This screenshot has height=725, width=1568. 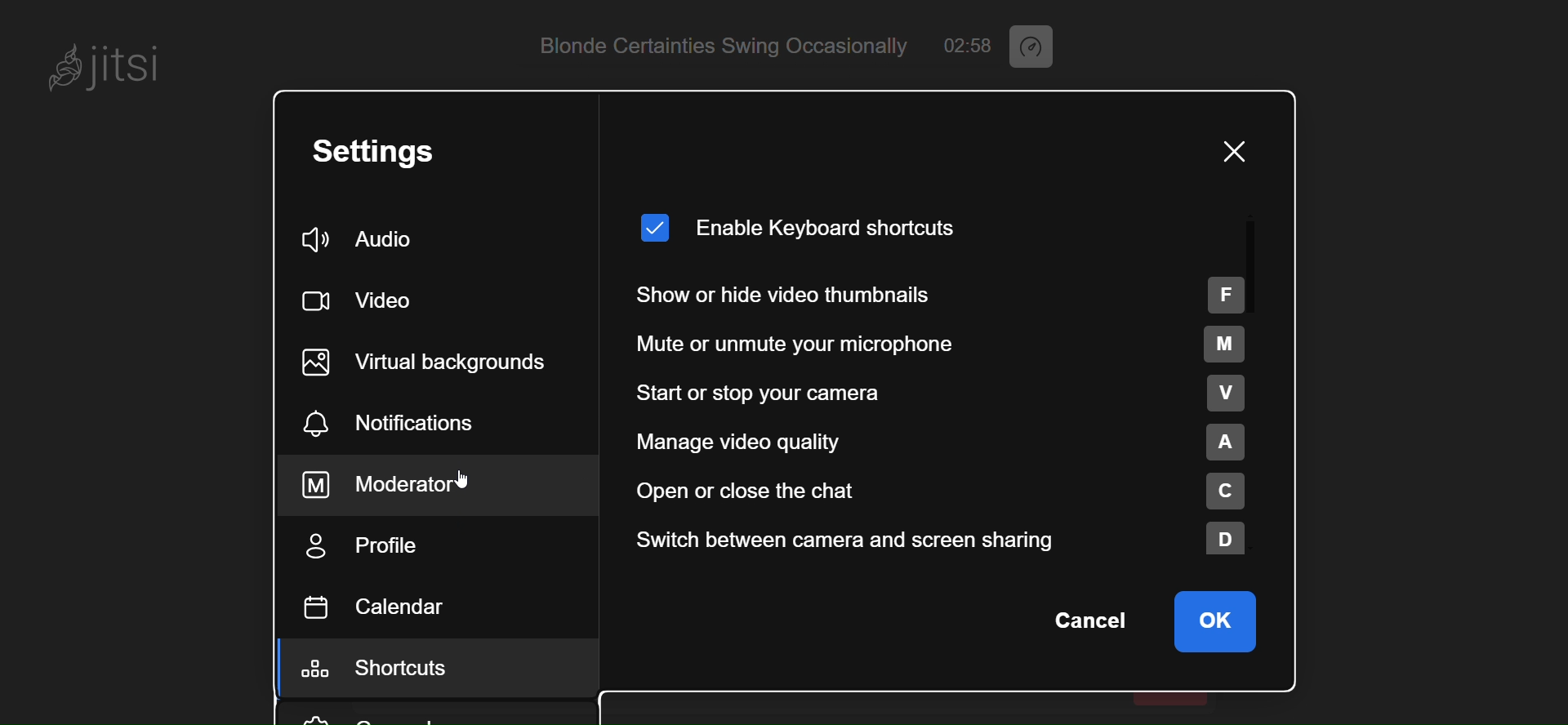 What do you see at coordinates (942, 344) in the screenshot?
I see `mute or unmute your microphone` at bounding box center [942, 344].